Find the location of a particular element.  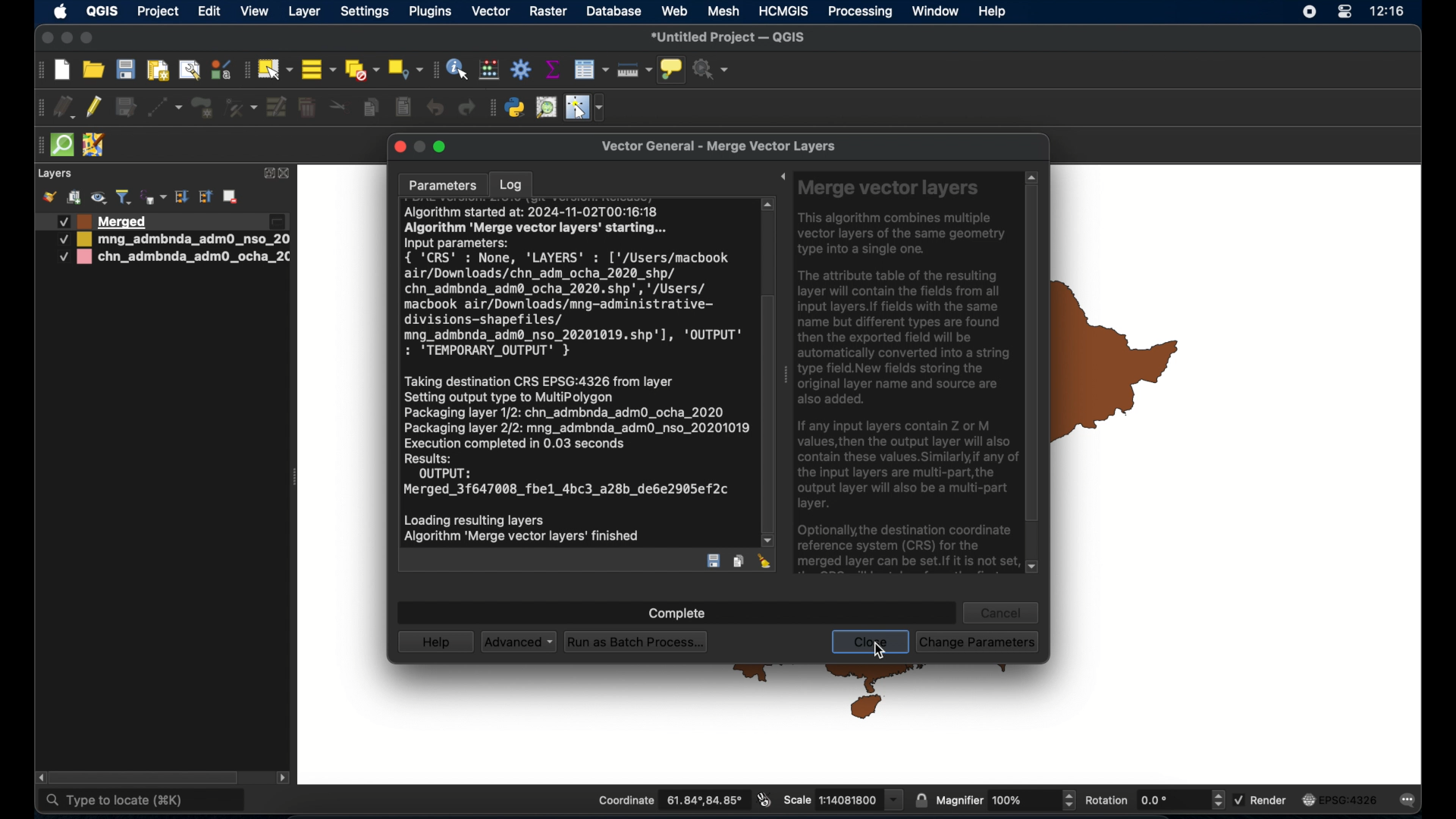

database is located at coordinates (614, 12).